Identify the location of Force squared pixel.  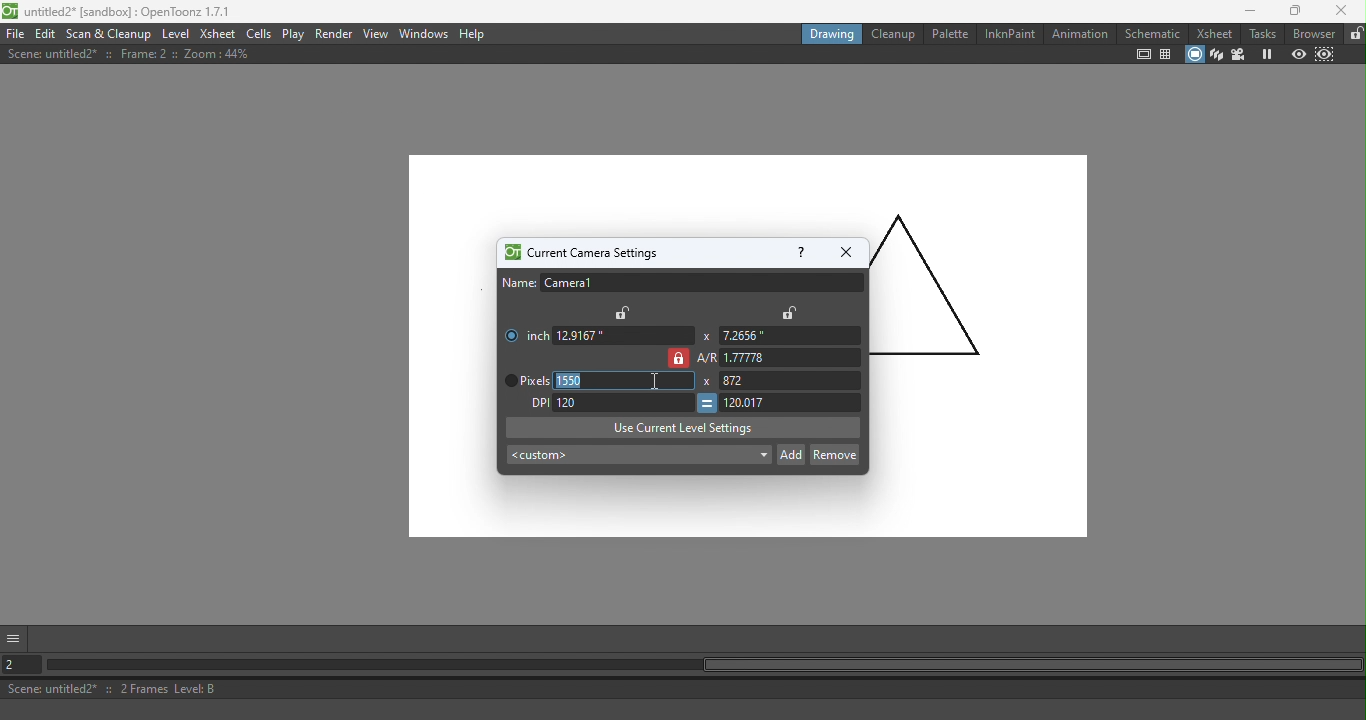
(706, 403).